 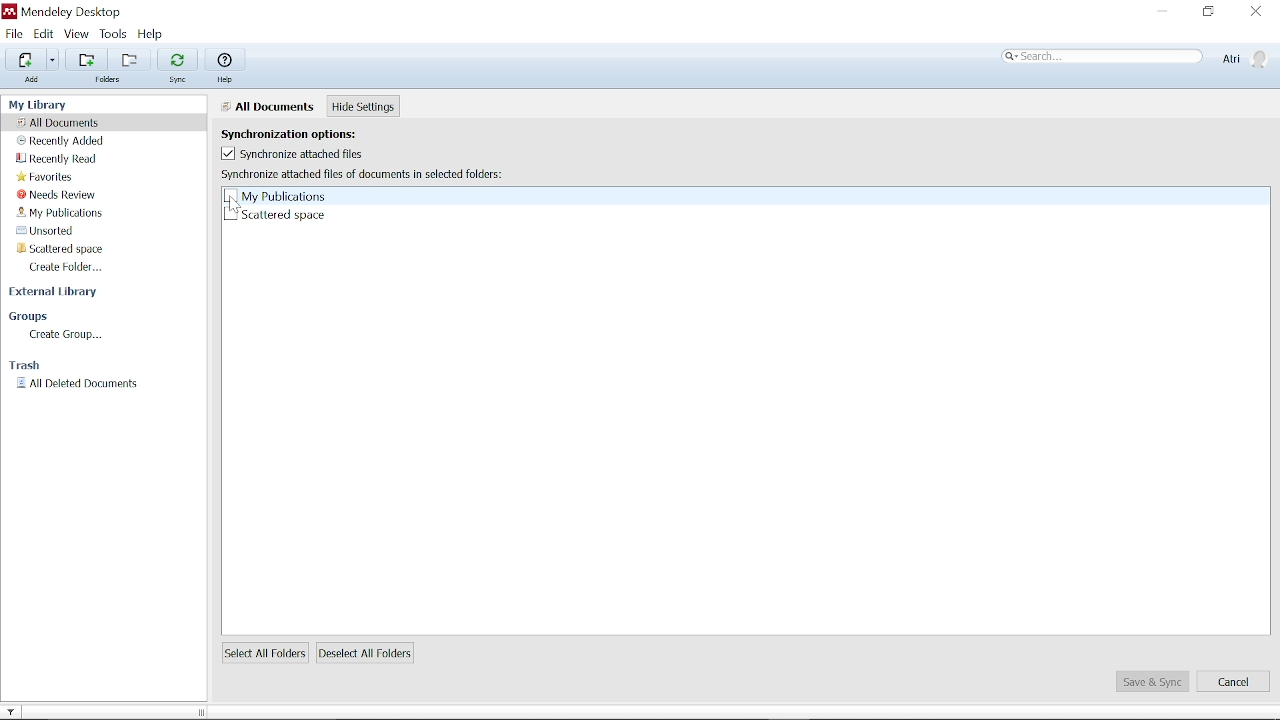 What do you see at coordinates (264, 653) in the screenshot?
I see `Select all folders` at bounding box center [264, 653].